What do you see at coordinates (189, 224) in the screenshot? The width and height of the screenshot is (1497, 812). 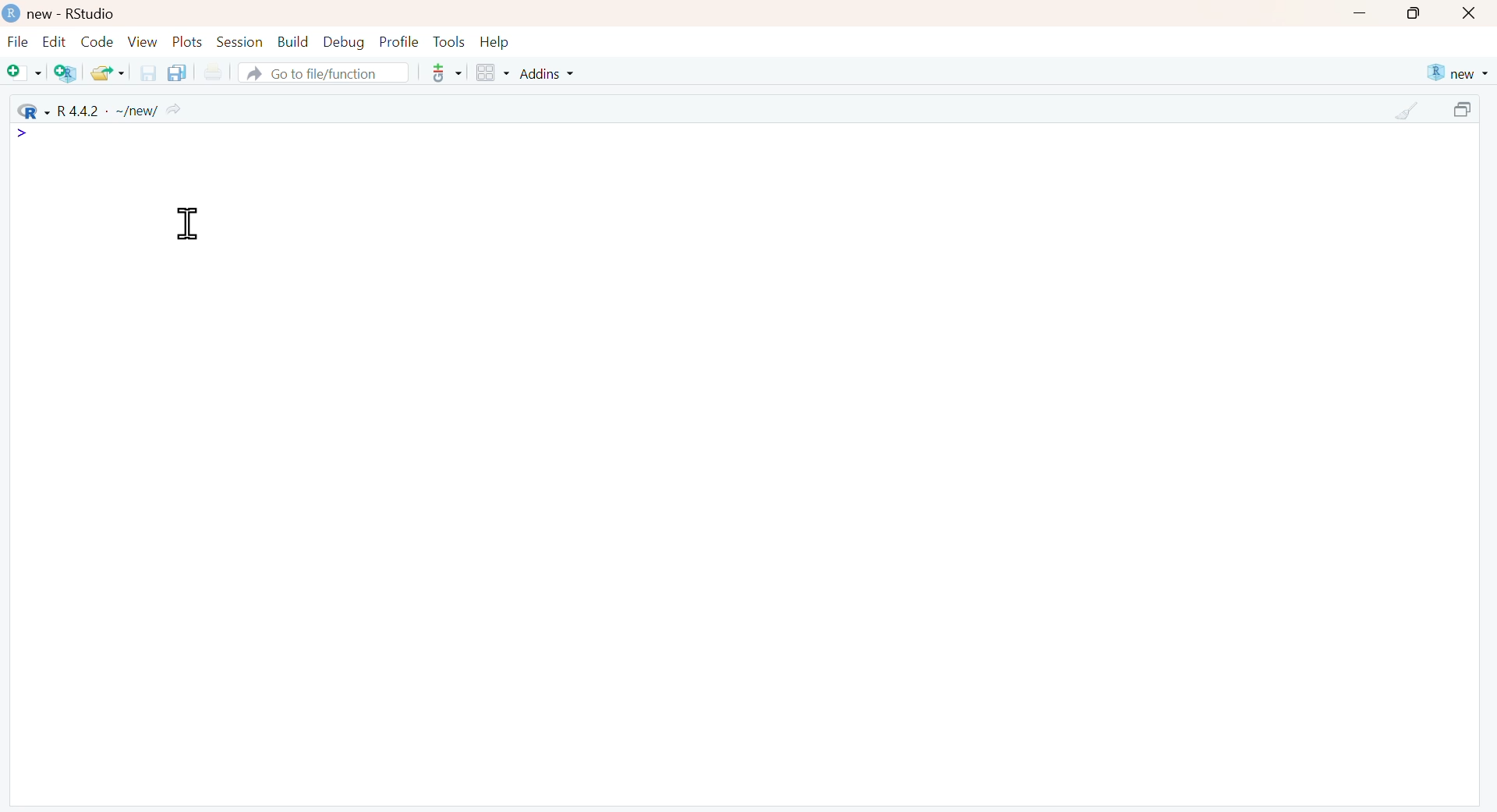 I see `Cursor` at bounding box center [189, 224].